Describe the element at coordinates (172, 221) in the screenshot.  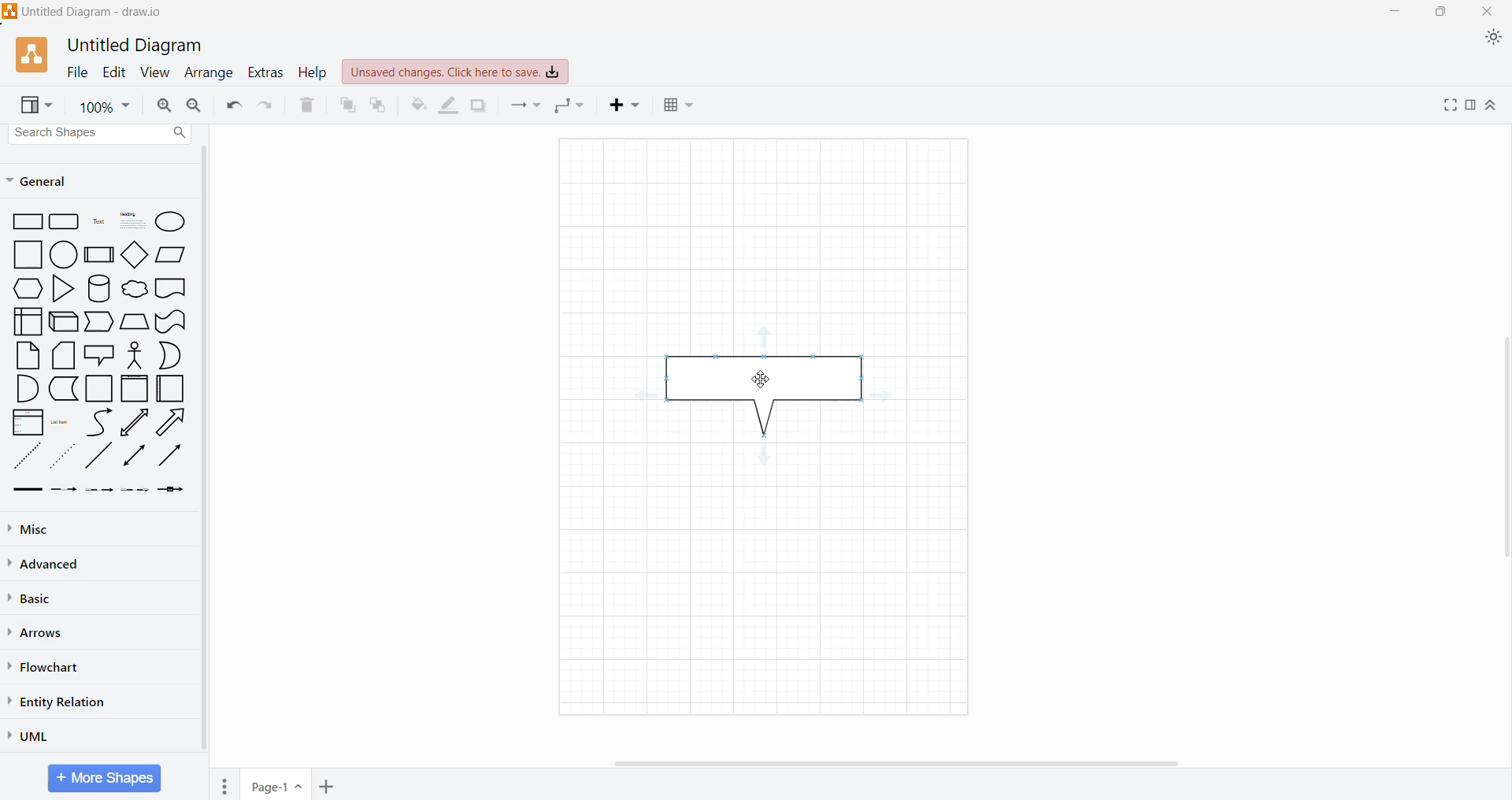
I see `Ellipse` at that location.